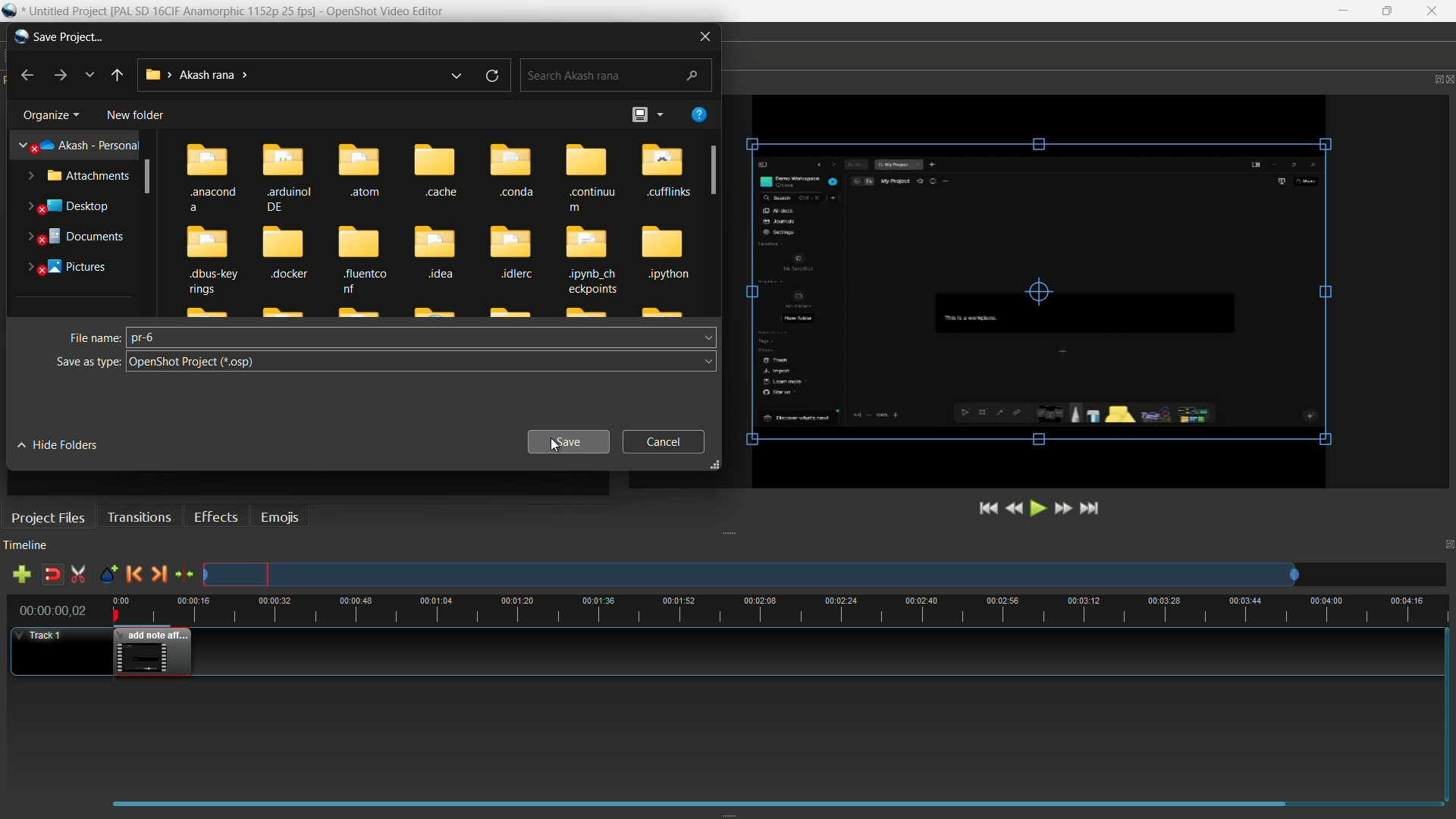 The height and width of the screenshot is (819, 1456). What do you see at coordinates (148, 176) in the screenshot?
I see `scroll bar` at bounding box center [148, 176].